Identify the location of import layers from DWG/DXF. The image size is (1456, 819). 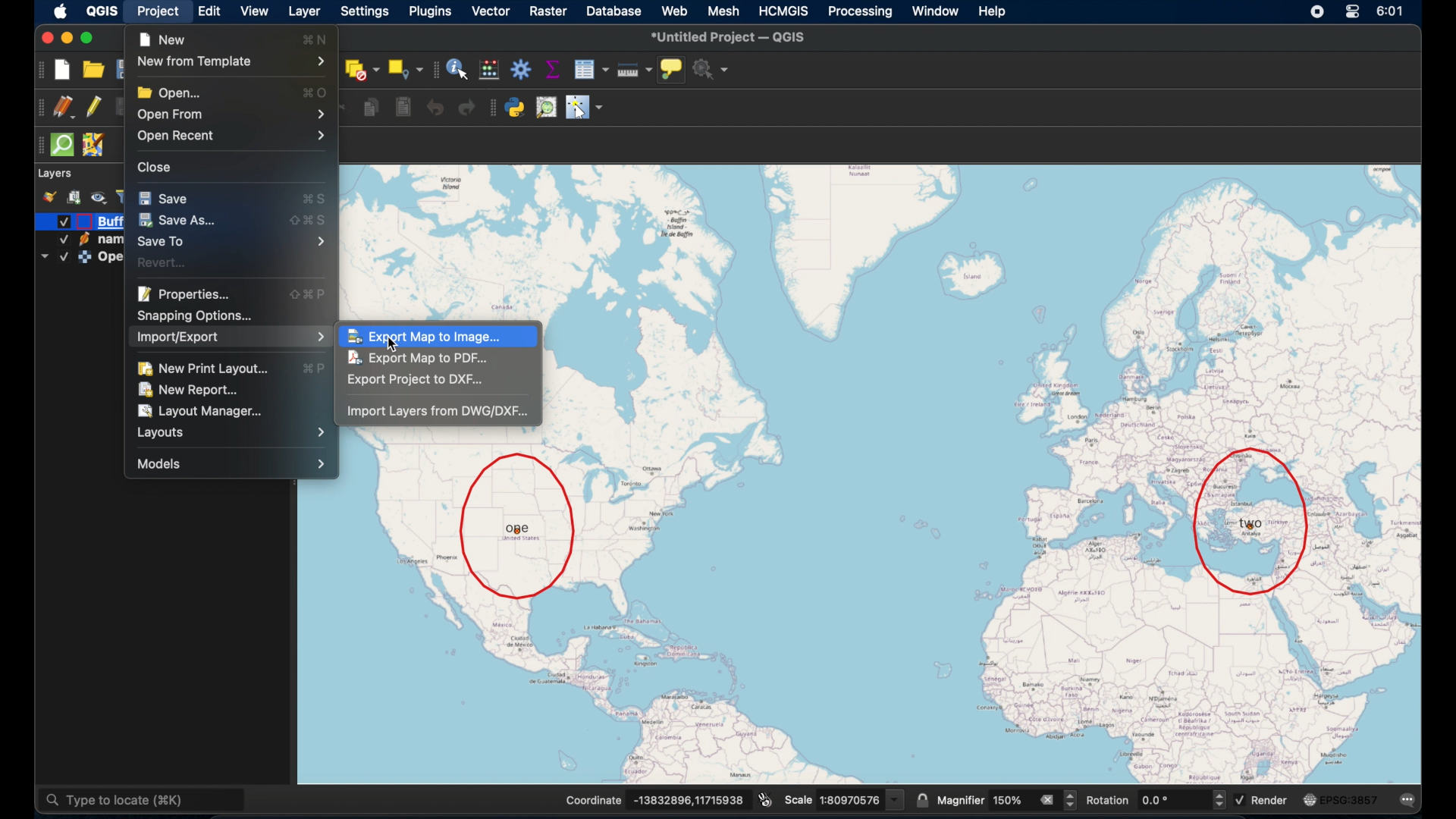
(439, 413).